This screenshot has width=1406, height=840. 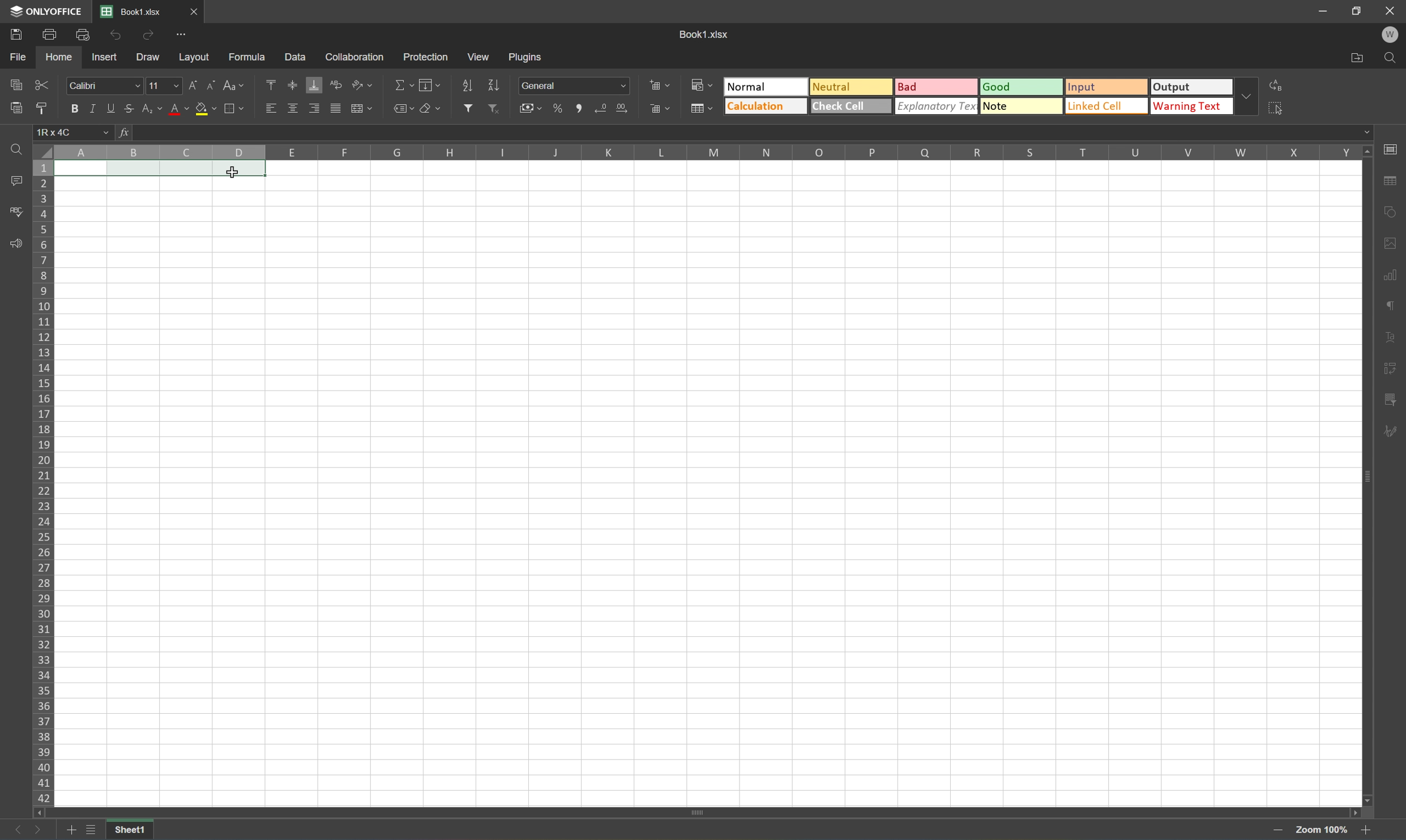 What do you see at coordinates (293, 110) in the screenshot?
I see `Align middle` at bounding box center [293, 110].